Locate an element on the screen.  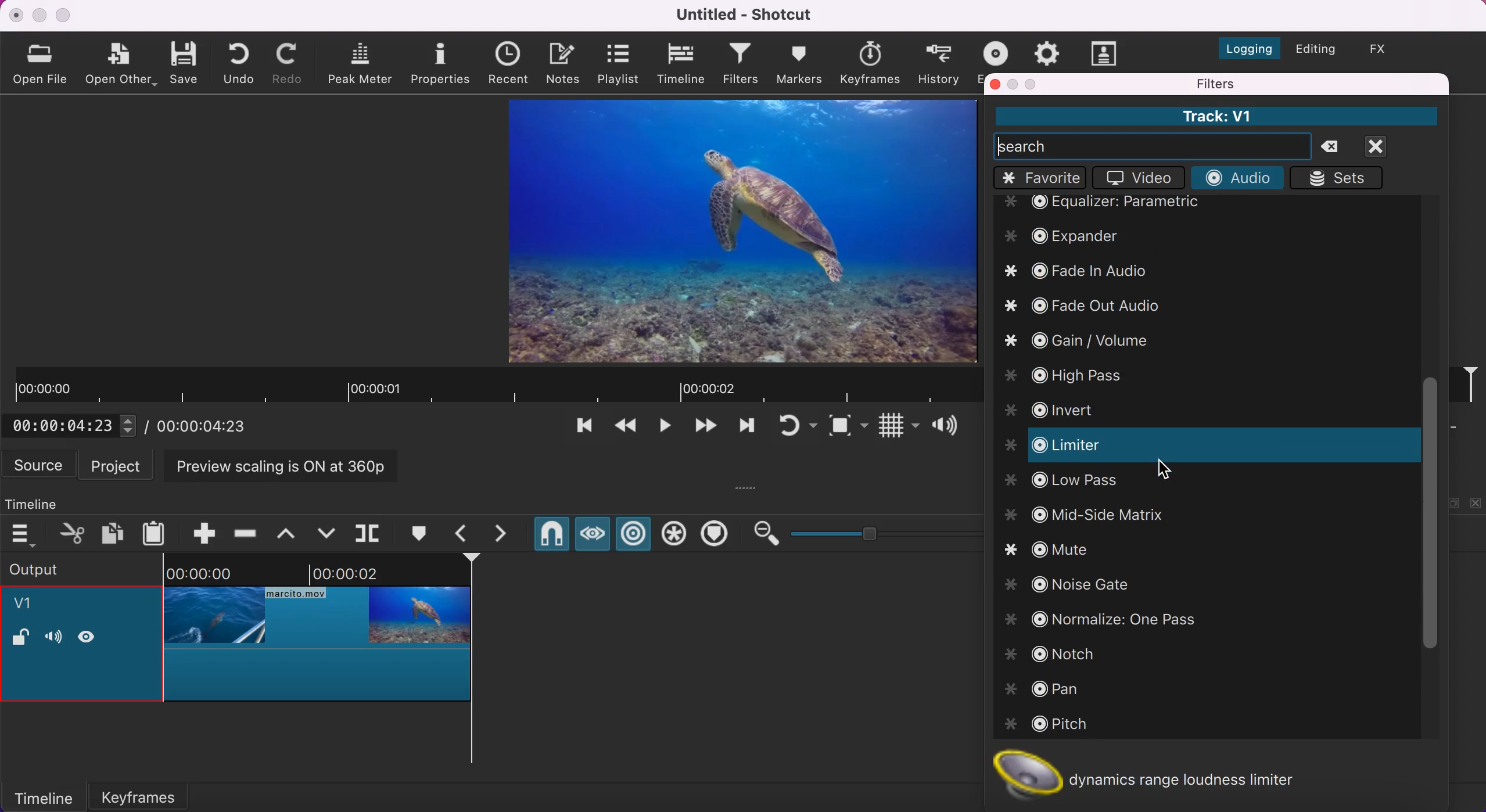
pitch is located at coordinates (1059, 726).